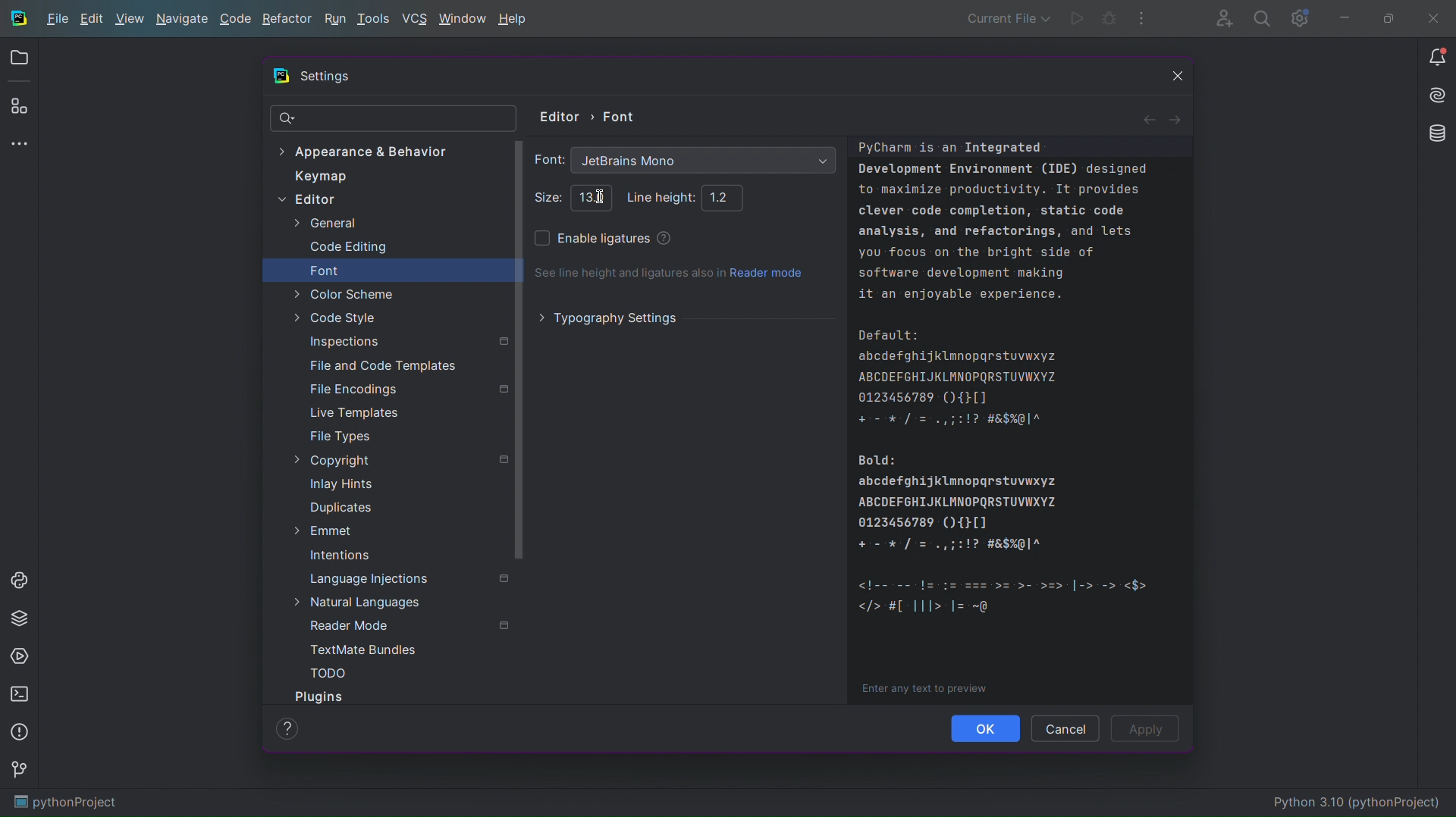 Image resolution: width=1456 pixels, height=817 pixels. What do you see at coordinates (21, 146) in the screenshot?
I see `More` at bounding box center [21, 146].